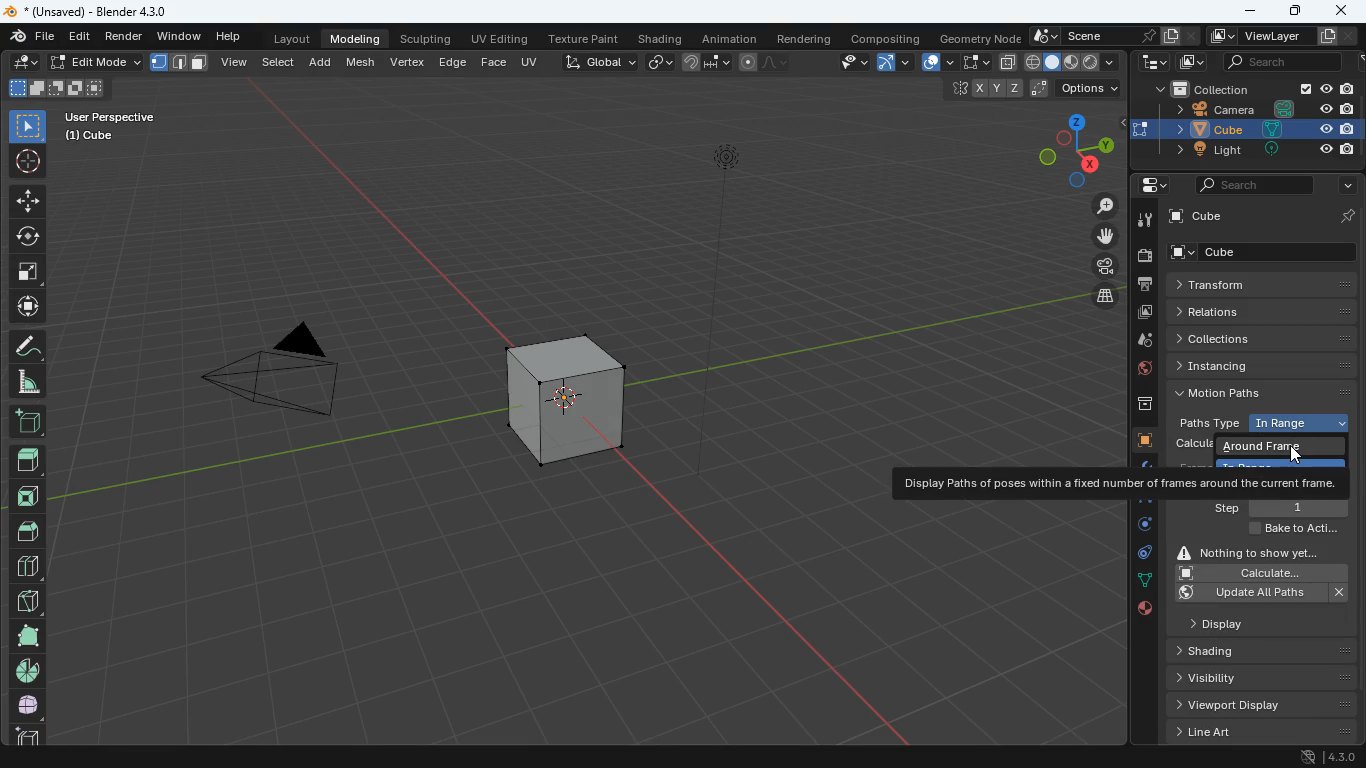  I want to click on view, so click(845, 63).